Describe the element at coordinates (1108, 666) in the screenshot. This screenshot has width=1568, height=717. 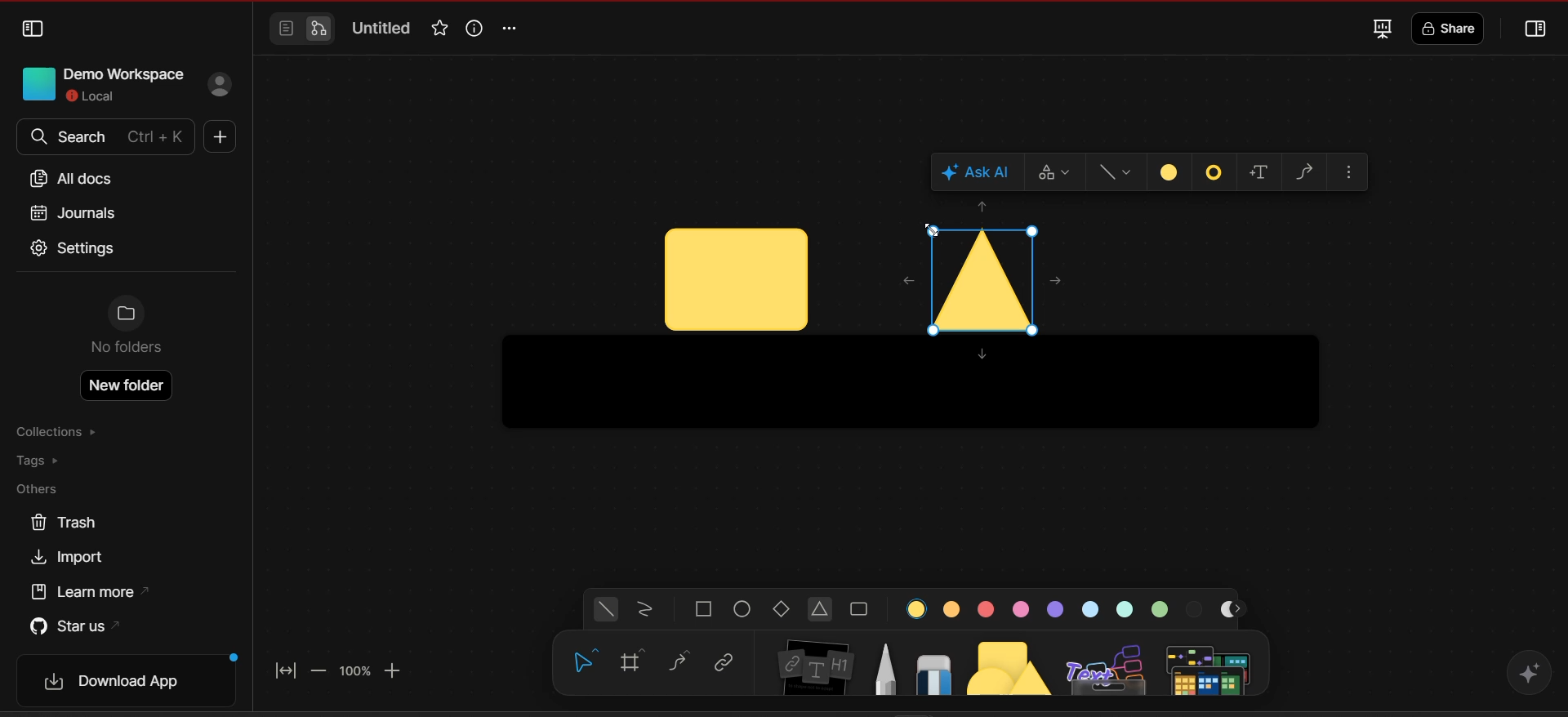
I see `others` at that location.